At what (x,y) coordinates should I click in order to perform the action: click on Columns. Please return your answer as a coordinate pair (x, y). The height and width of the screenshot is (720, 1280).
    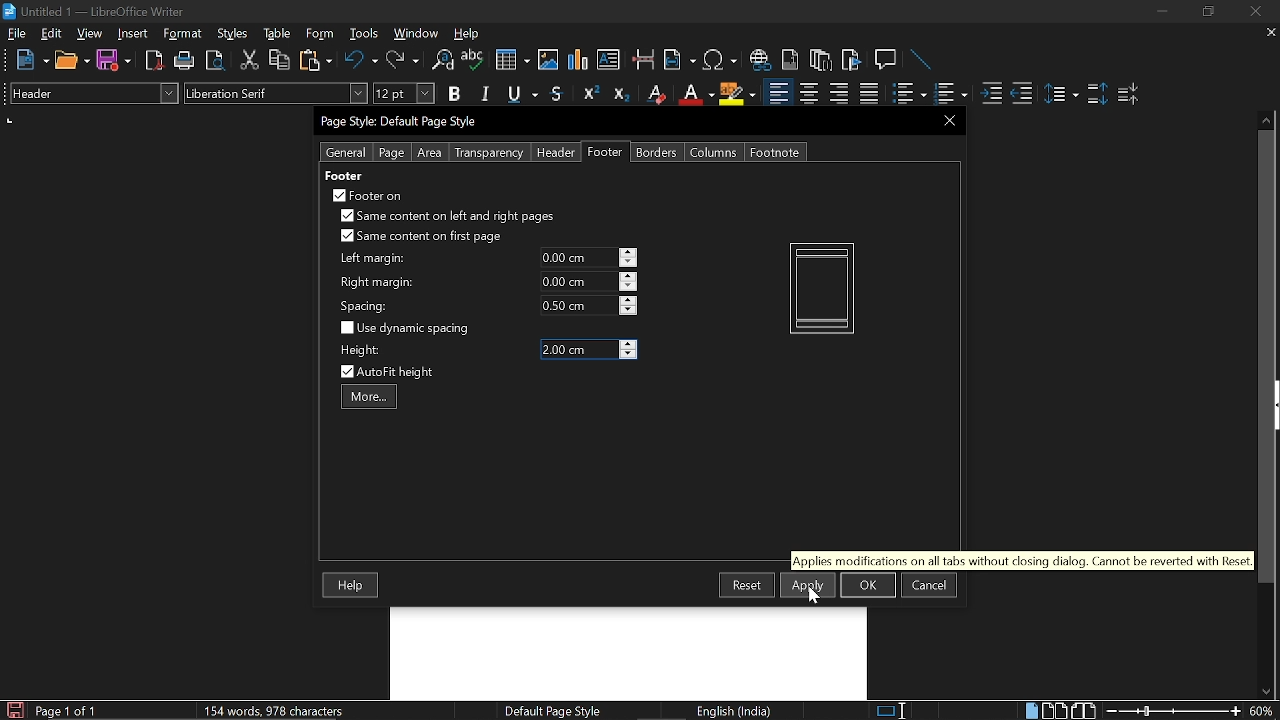
    Looking at the image, I should click on (714, 152).